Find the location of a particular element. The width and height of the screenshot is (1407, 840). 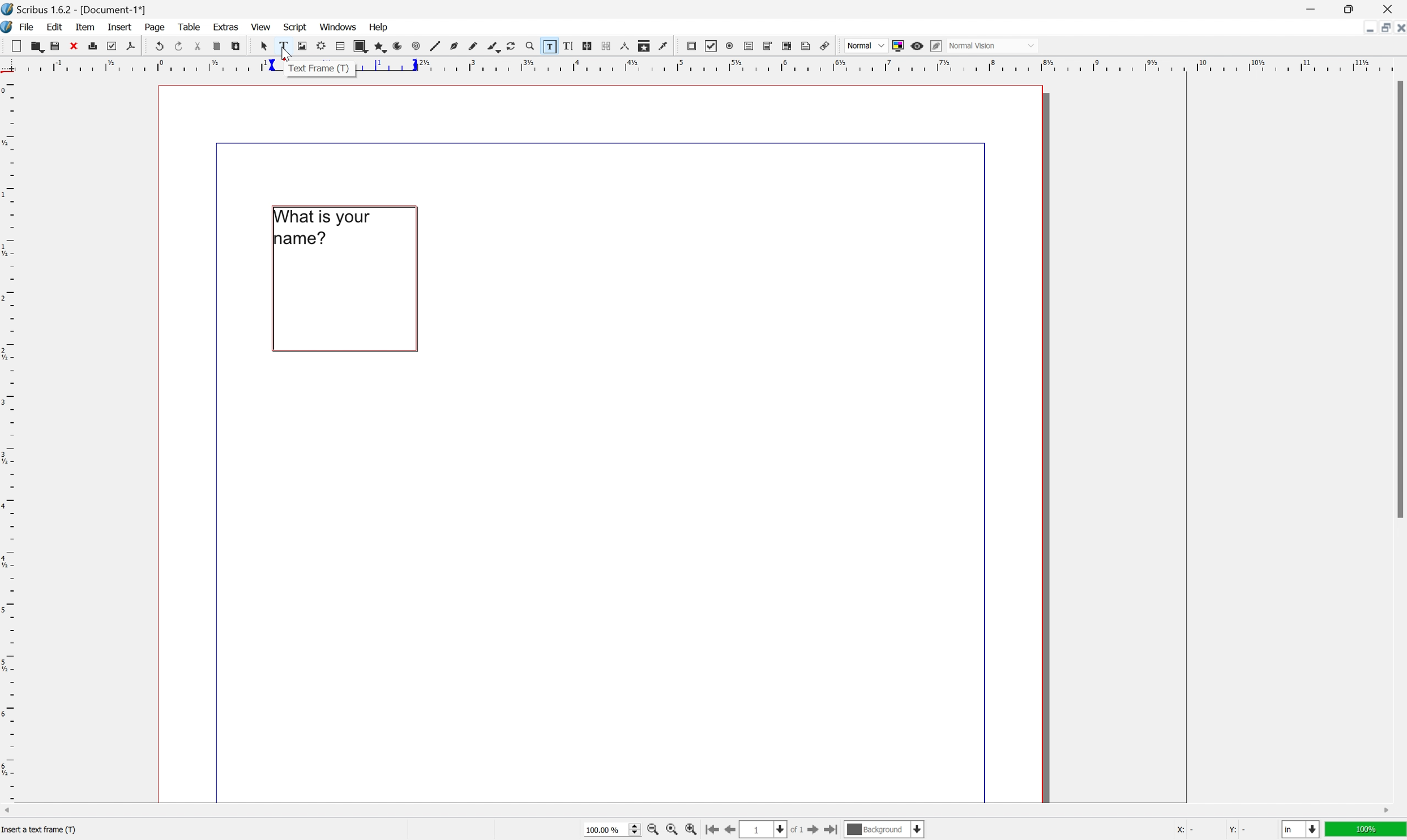

copy is located at coordinates (216, 47).